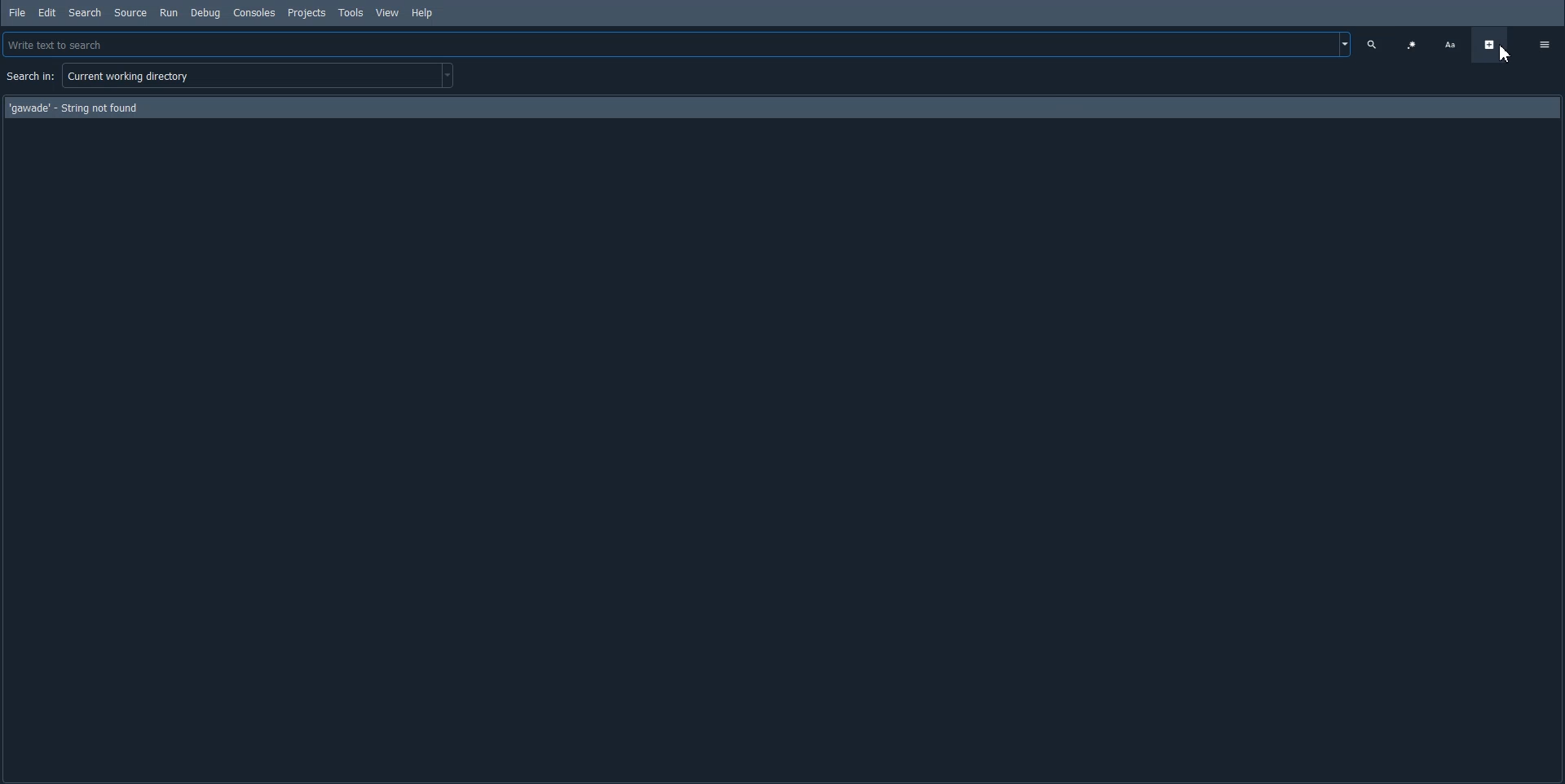 This screenshot has height=784, width=1565. What do you see at coordinates (253, 12) in the screenshot?
I see `Consoles` at bounding box center [253, 12].